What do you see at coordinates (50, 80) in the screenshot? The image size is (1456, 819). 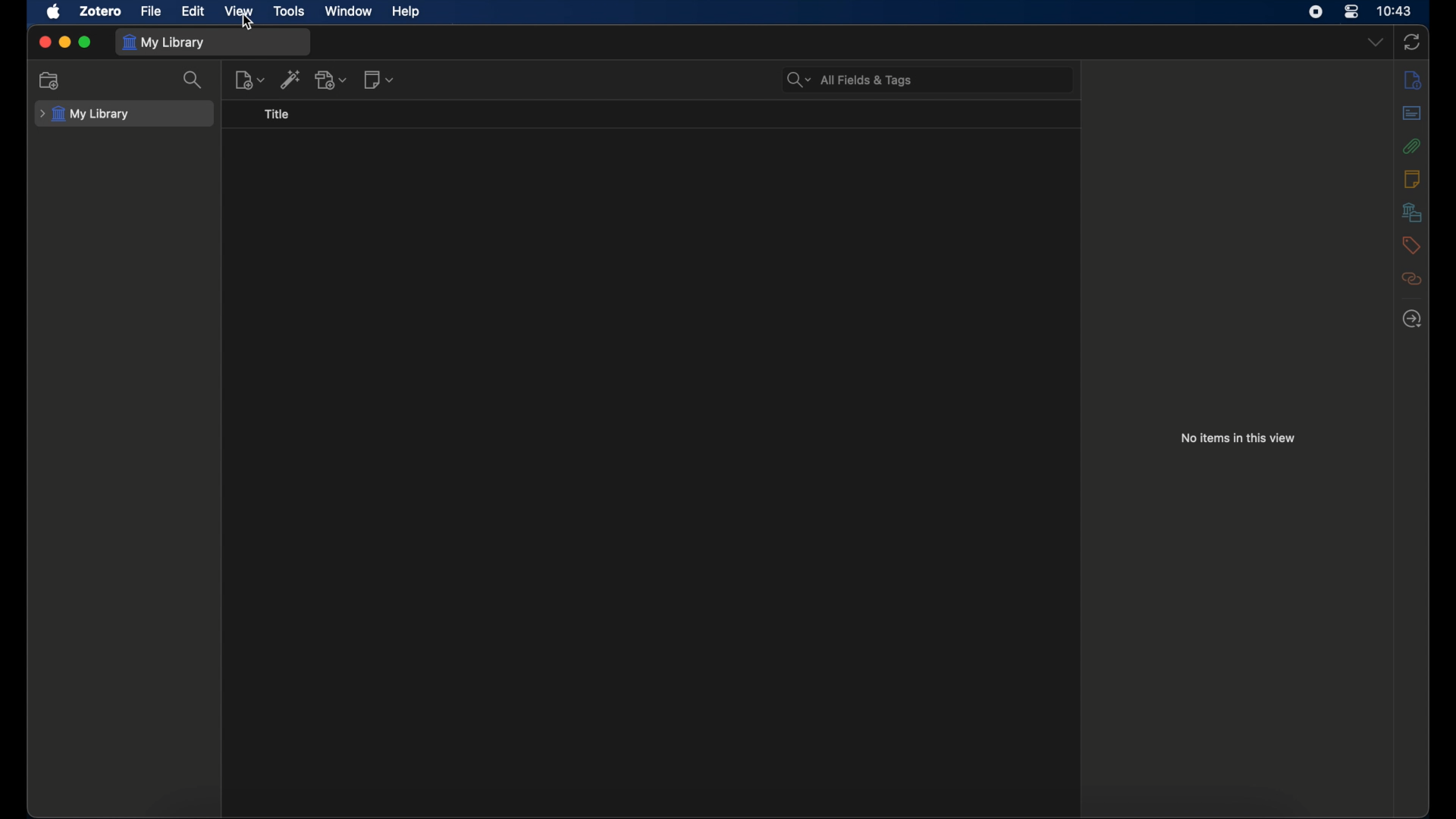 I see `new collections` at bounding box center [50, 80].